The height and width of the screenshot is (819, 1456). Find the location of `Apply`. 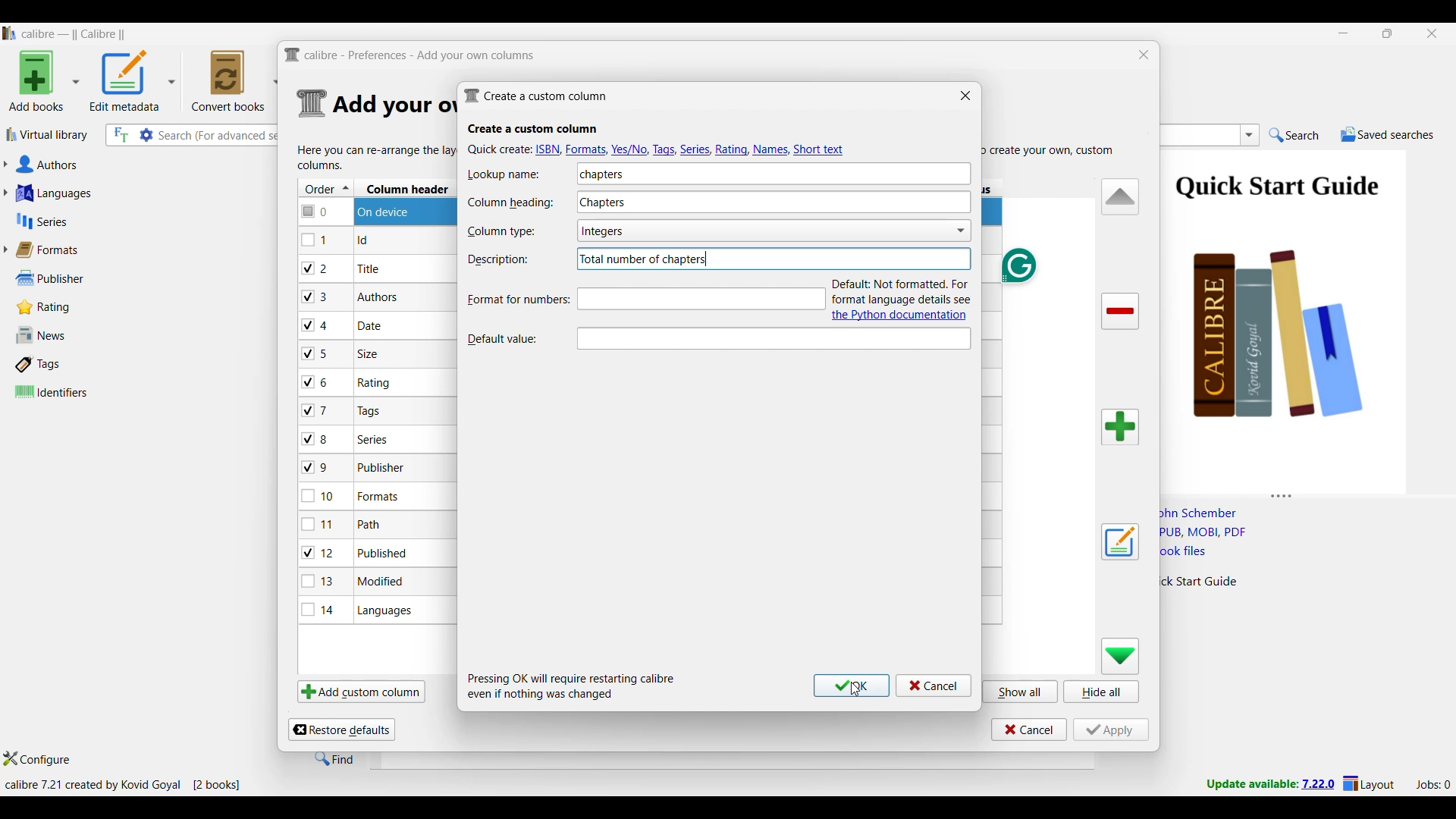

Apply is located at coordinates (1111, 730).